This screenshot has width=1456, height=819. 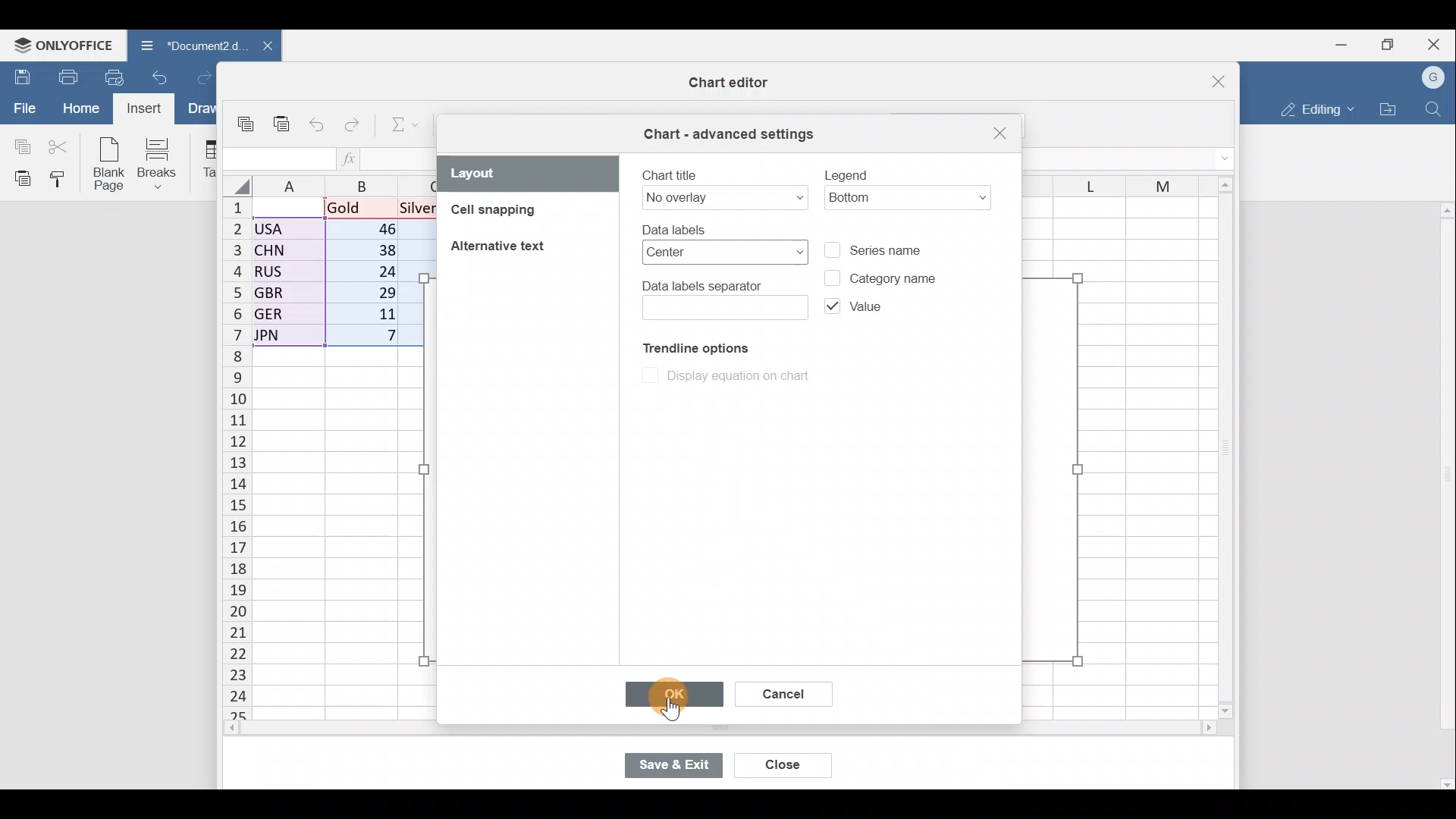 What do you see at coordinates (19, 177) in the screenshot?
I see `Paste` at bounding box center [19, 177].